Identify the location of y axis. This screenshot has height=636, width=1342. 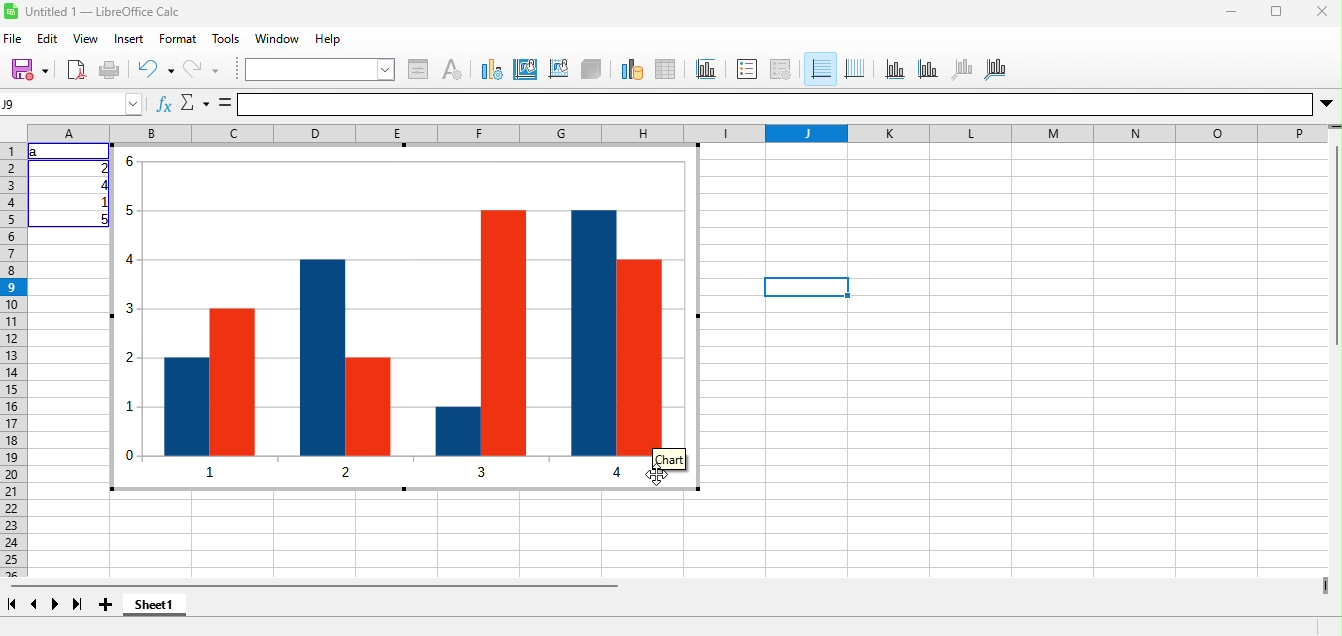
(928, 70).